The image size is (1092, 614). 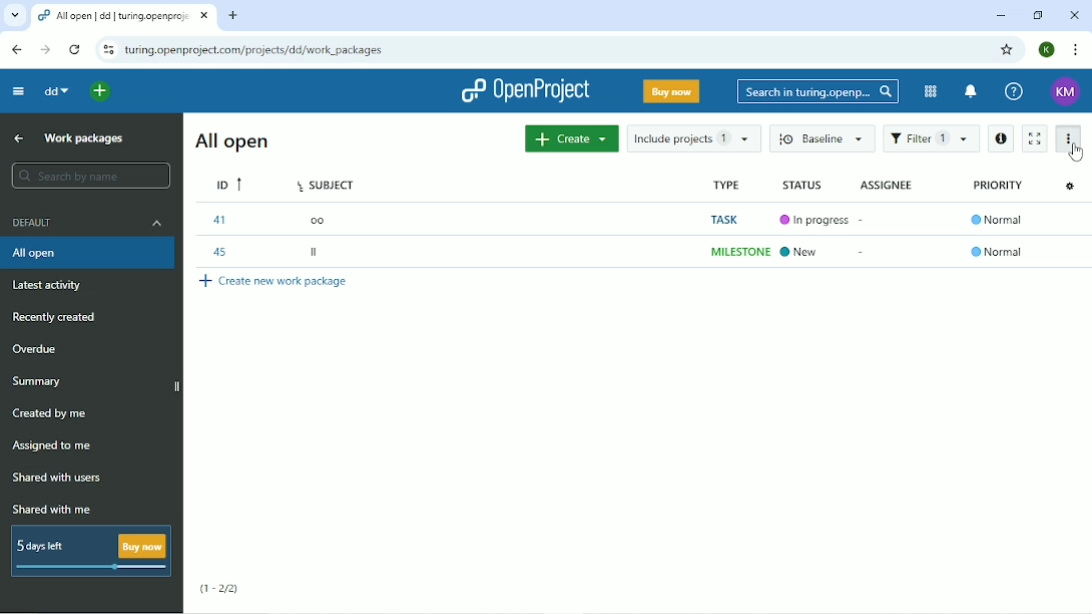 I want to click on Site, so click(x=257, y=49).